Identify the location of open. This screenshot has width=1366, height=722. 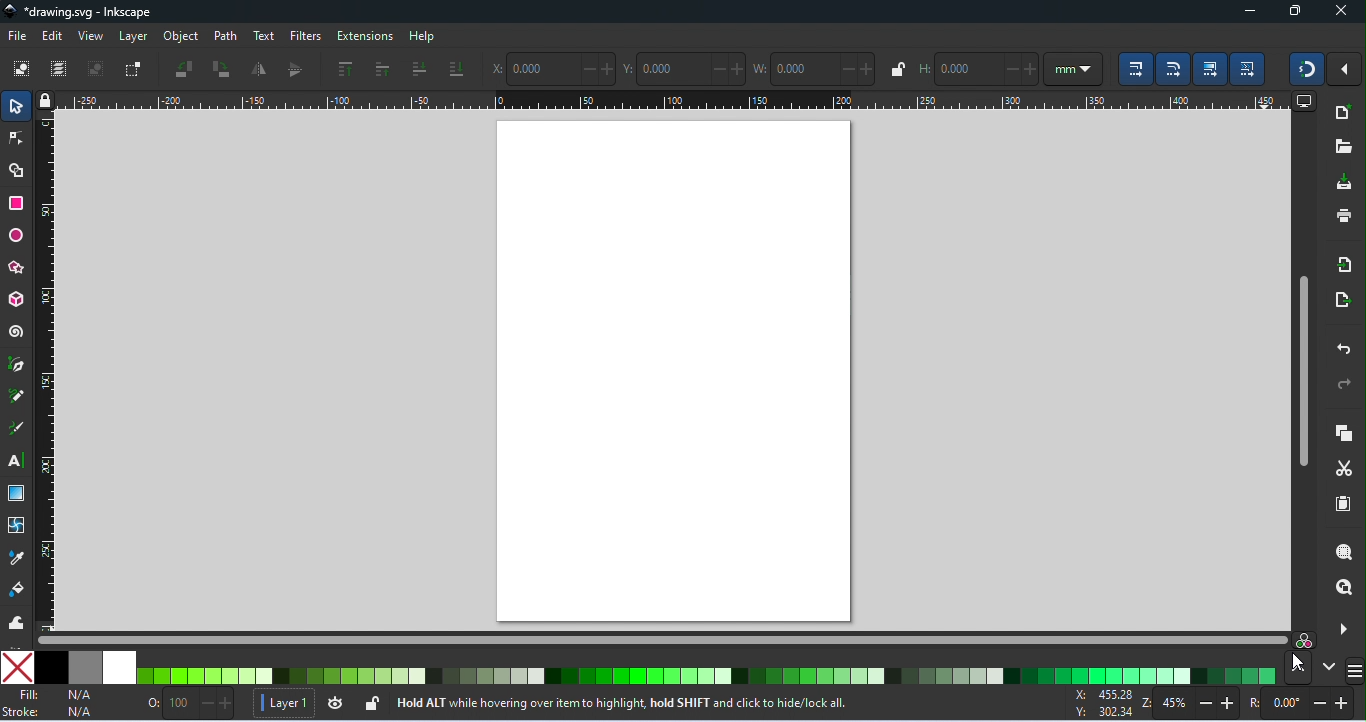
(1344, 146).